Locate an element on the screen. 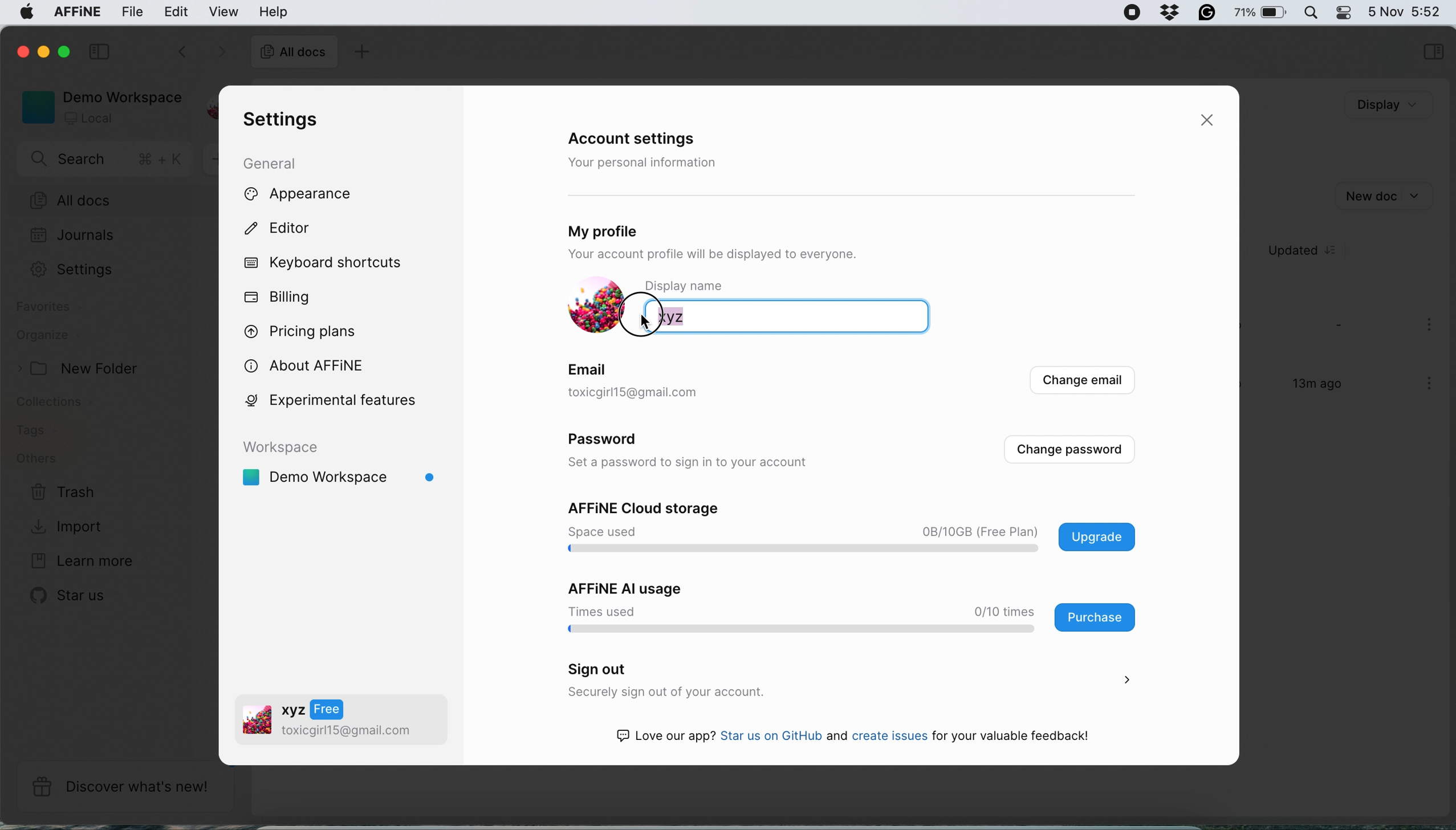 This screenshot has width=1456, height=830. editor is located at coordinates (289, 230).